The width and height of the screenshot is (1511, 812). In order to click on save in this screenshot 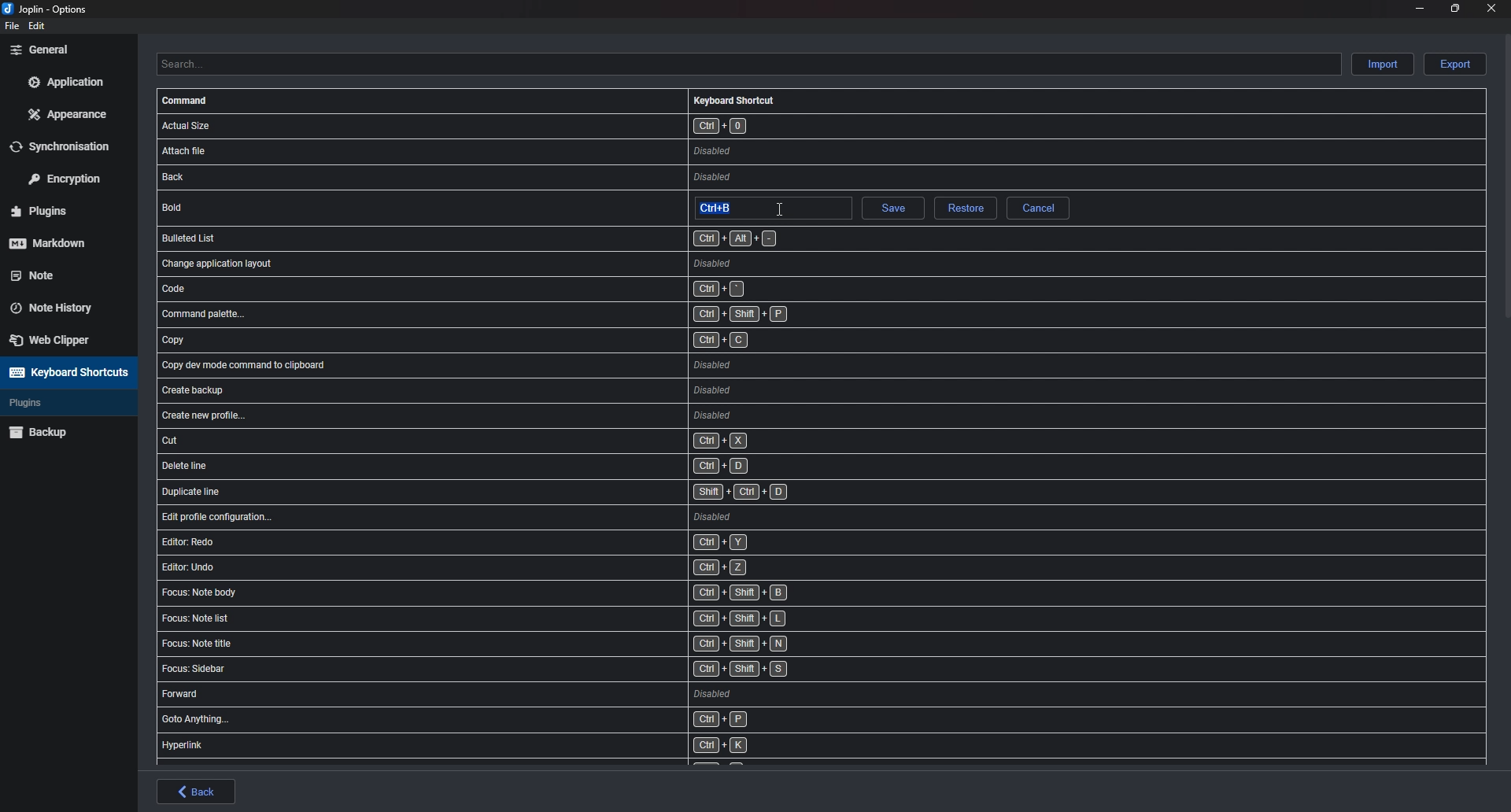, I will do `click(892, 210)`.